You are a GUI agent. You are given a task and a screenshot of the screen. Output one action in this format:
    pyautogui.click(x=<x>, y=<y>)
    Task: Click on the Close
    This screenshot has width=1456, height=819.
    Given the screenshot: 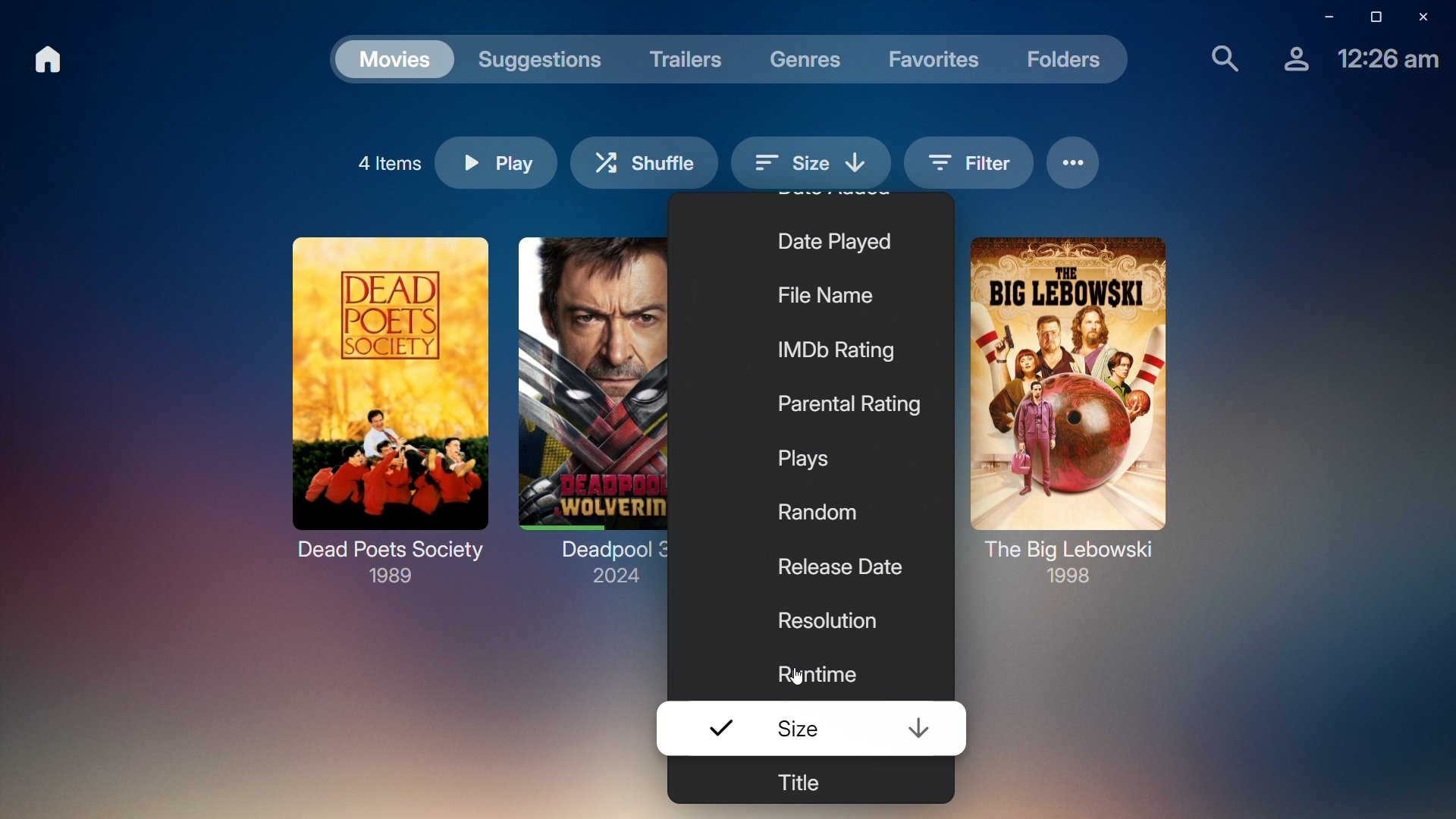 What is the action you would take?
    pyautogui.click(x=1429, y=17)
    